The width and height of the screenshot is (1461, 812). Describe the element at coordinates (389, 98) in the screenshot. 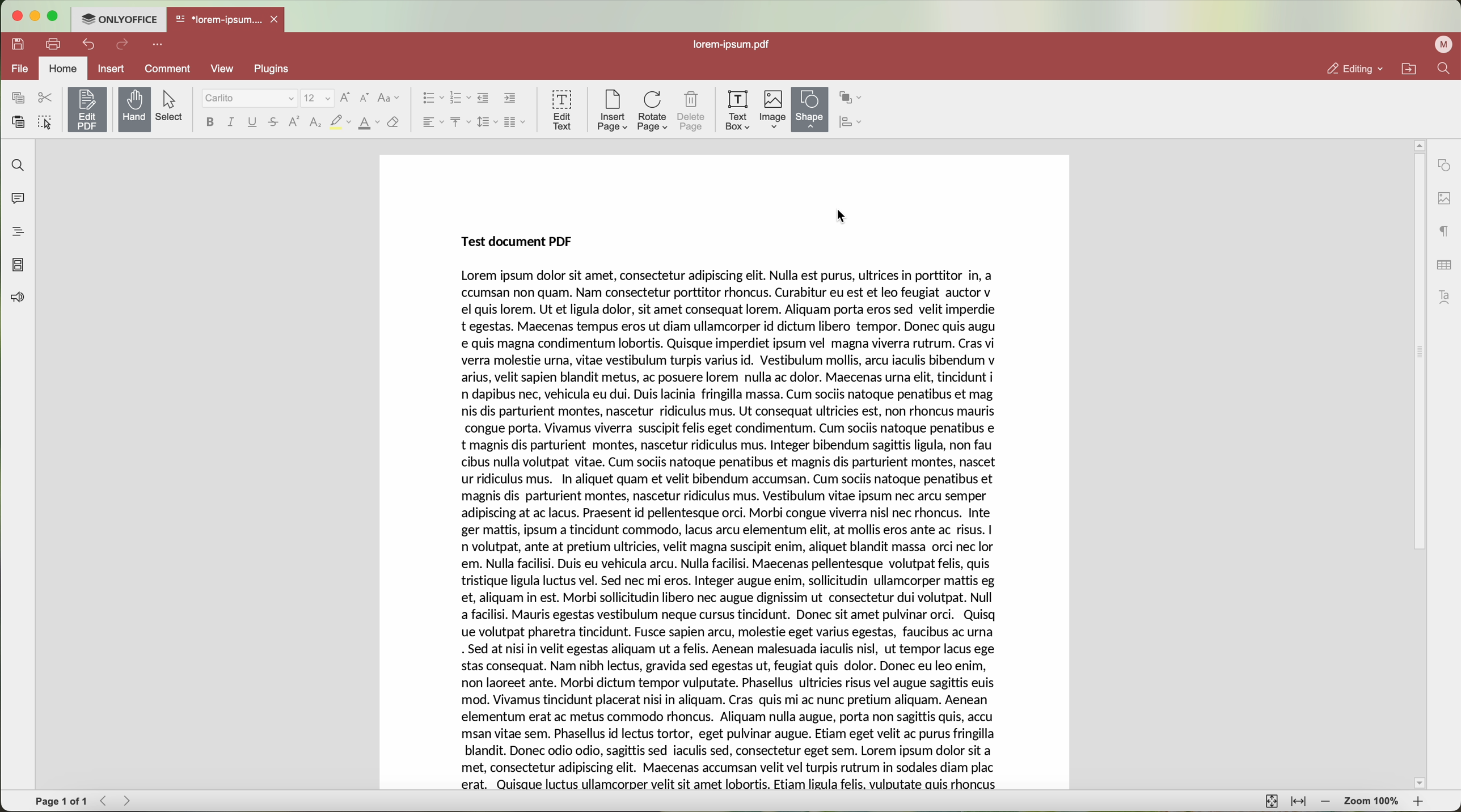

I see `change case` at that location.